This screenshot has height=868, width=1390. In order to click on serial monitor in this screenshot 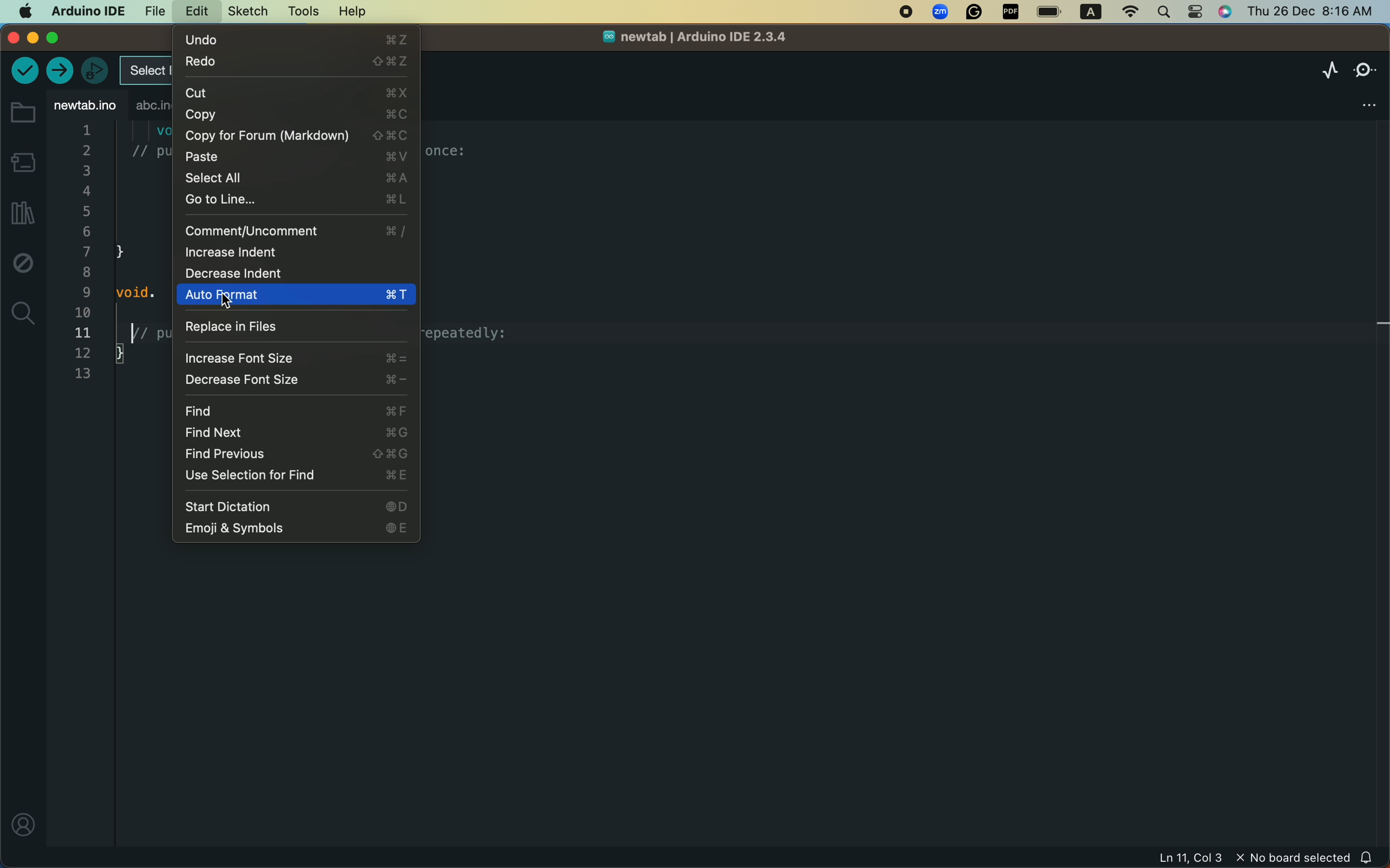, I will do `click(1365, 67)`.